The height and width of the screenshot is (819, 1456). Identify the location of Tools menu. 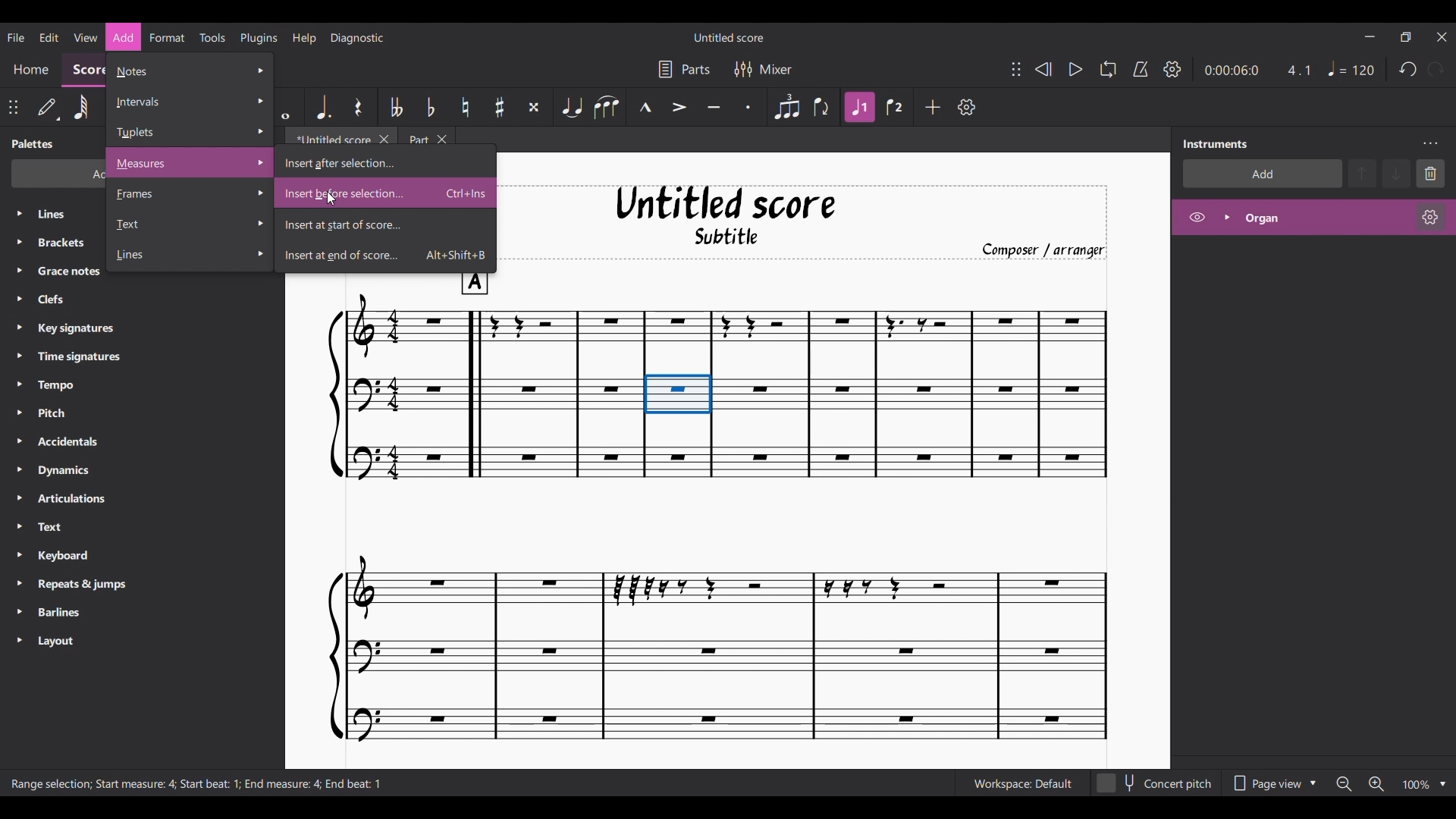
(212, 37).